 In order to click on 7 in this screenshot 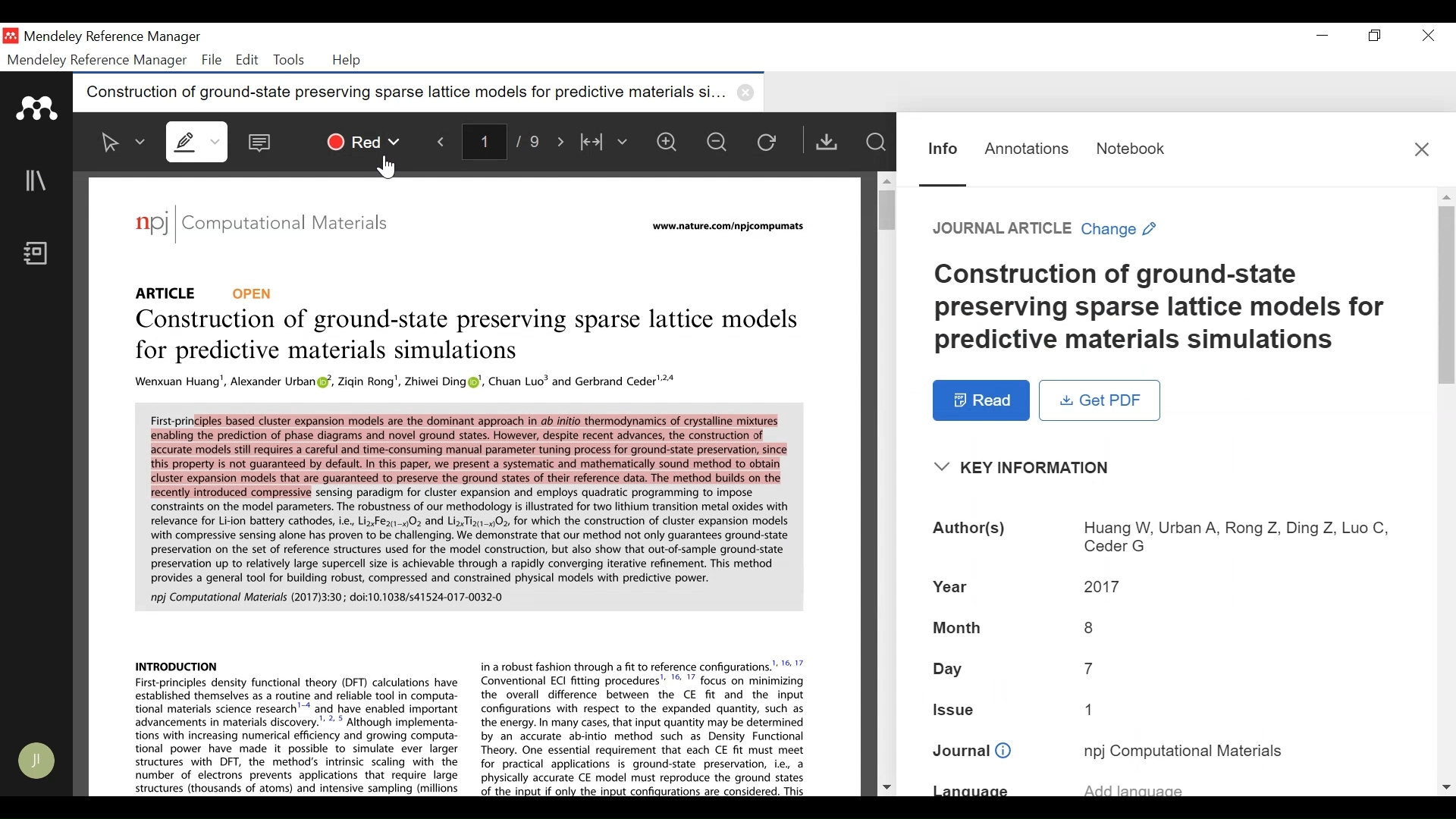, I will do `click(1095, 670)`.